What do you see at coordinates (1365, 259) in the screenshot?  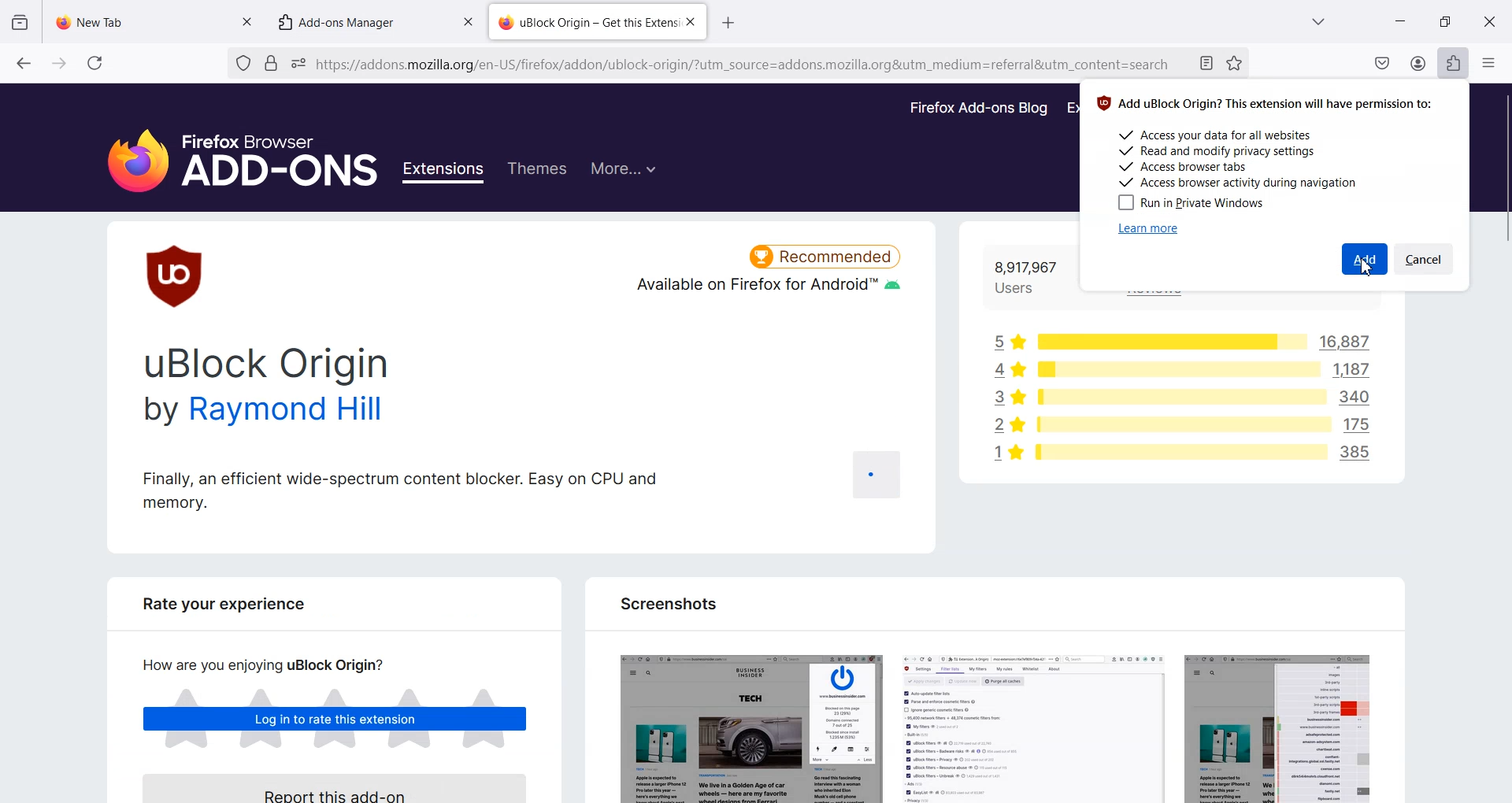 I see `Add` at bounding box center [1365, 259].